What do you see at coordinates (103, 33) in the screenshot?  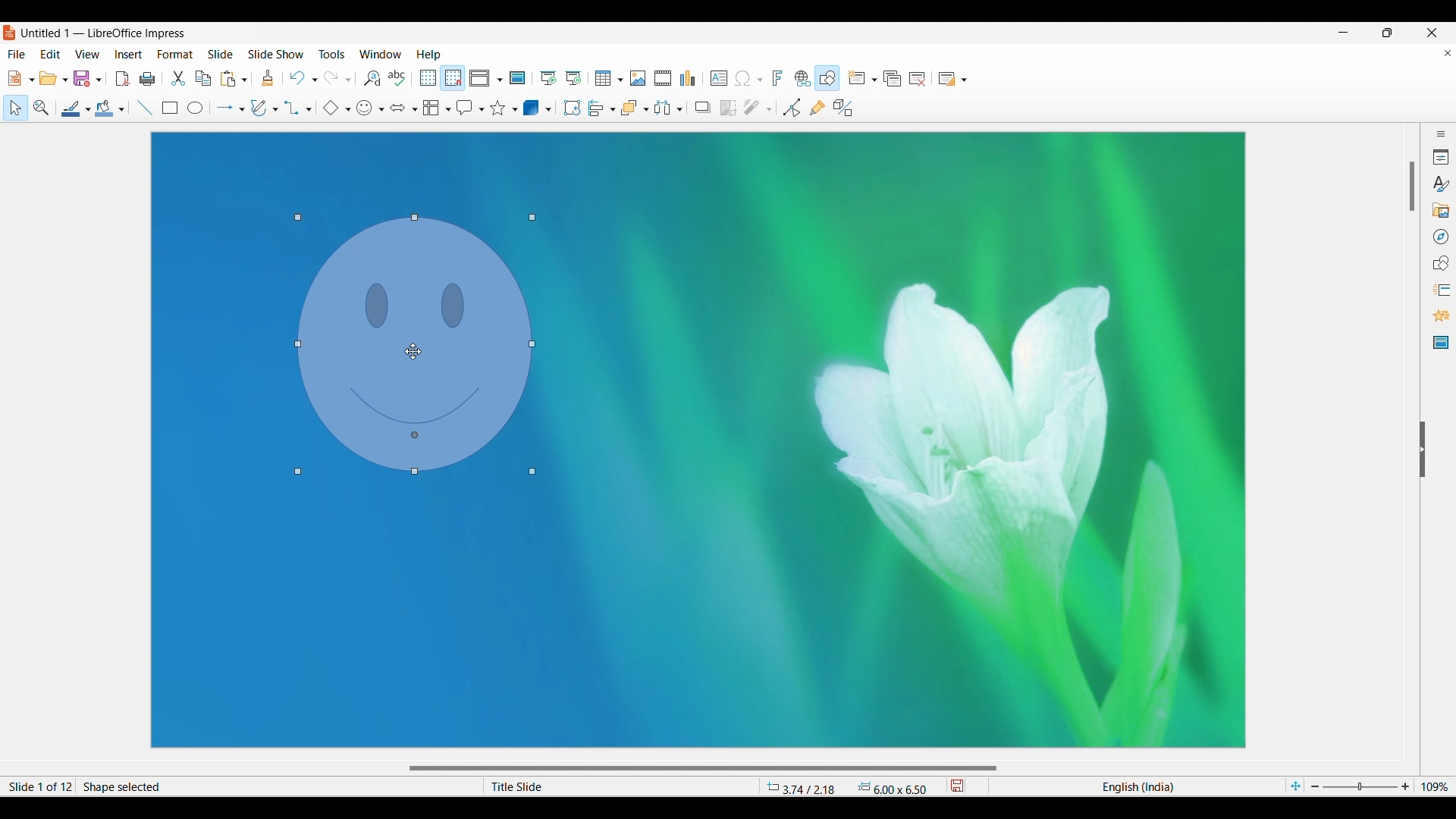 I see `Untitled 1 - LibreOffice Impress` at bounding box center [103, 33].